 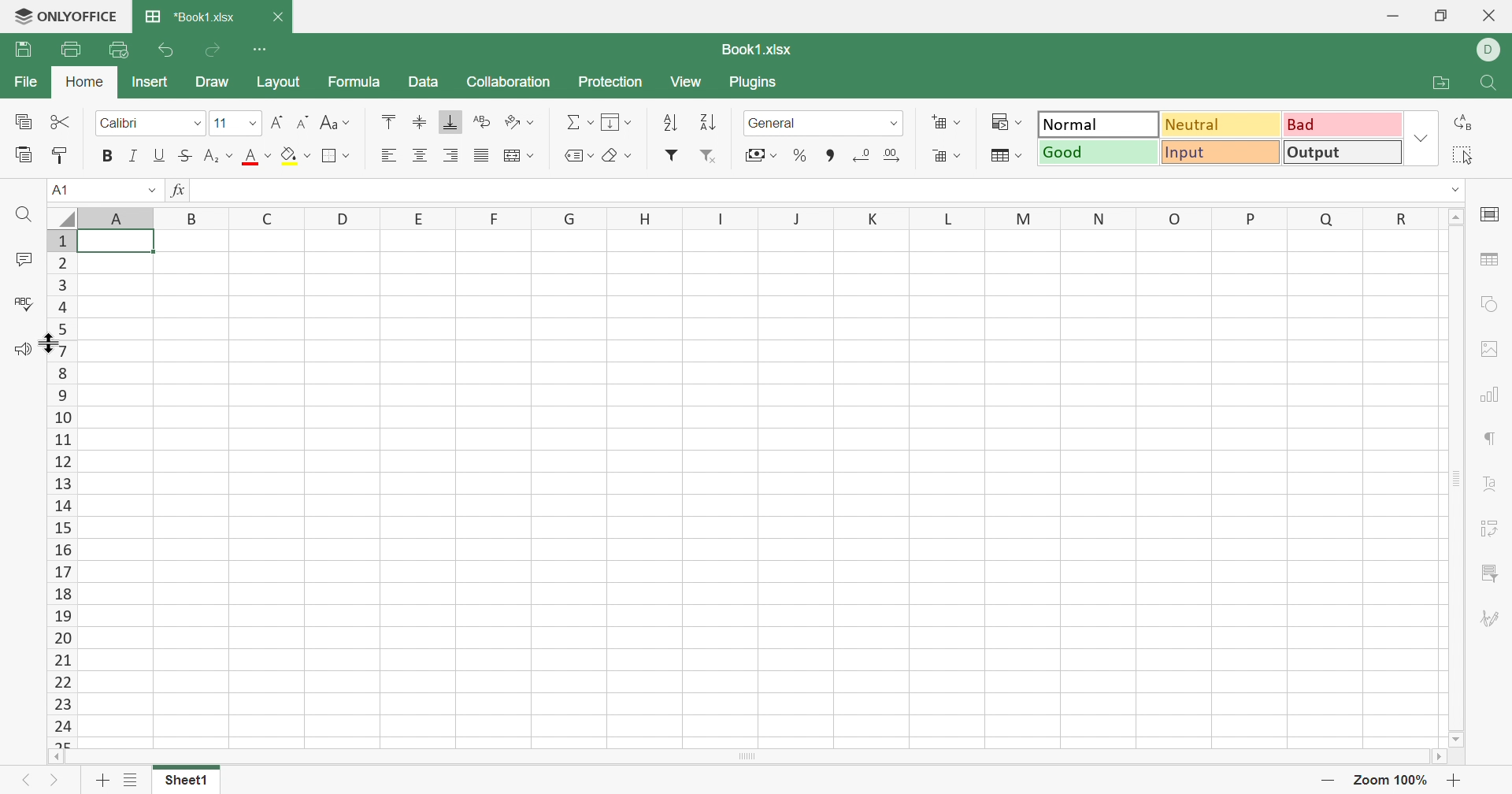 I want to click on Neutral, so click(x=1221, y=125).